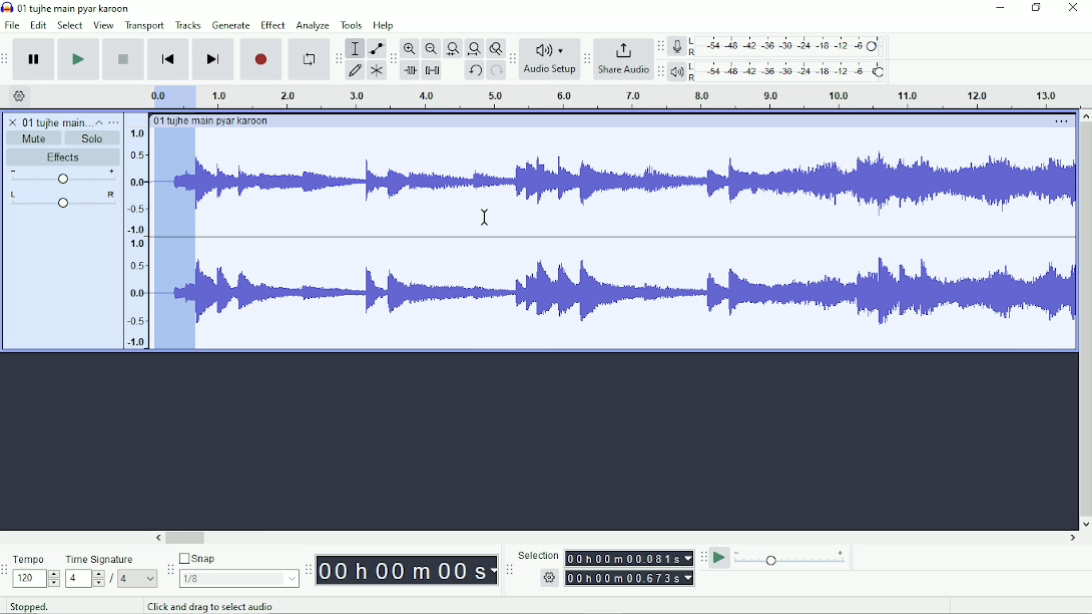  I want to click on Audacity audio setup toolbar, so click(512, 59).